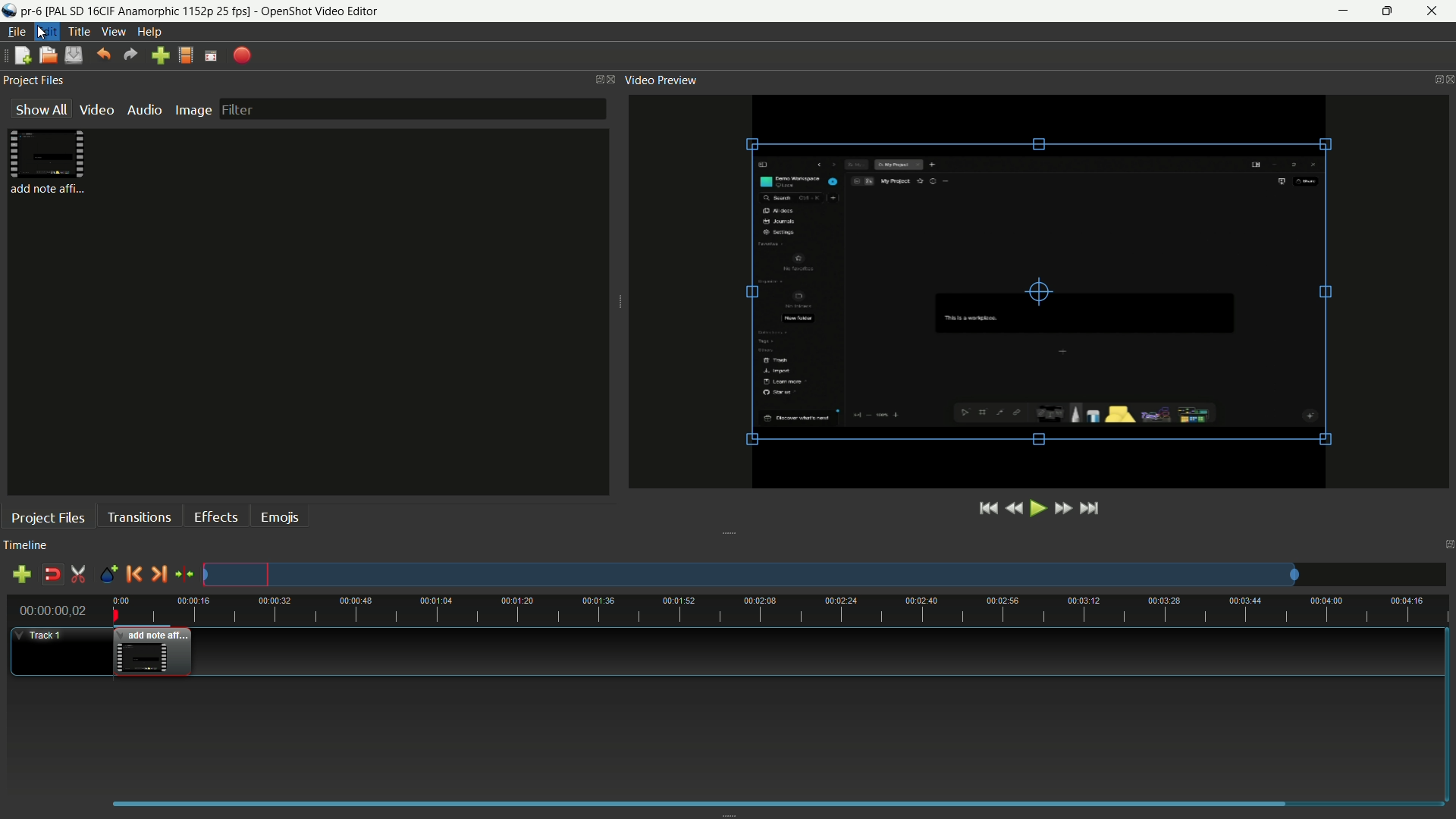  Describe the element at coordinates (52, 574) in the screenshot. I see `disable snap` at that location.